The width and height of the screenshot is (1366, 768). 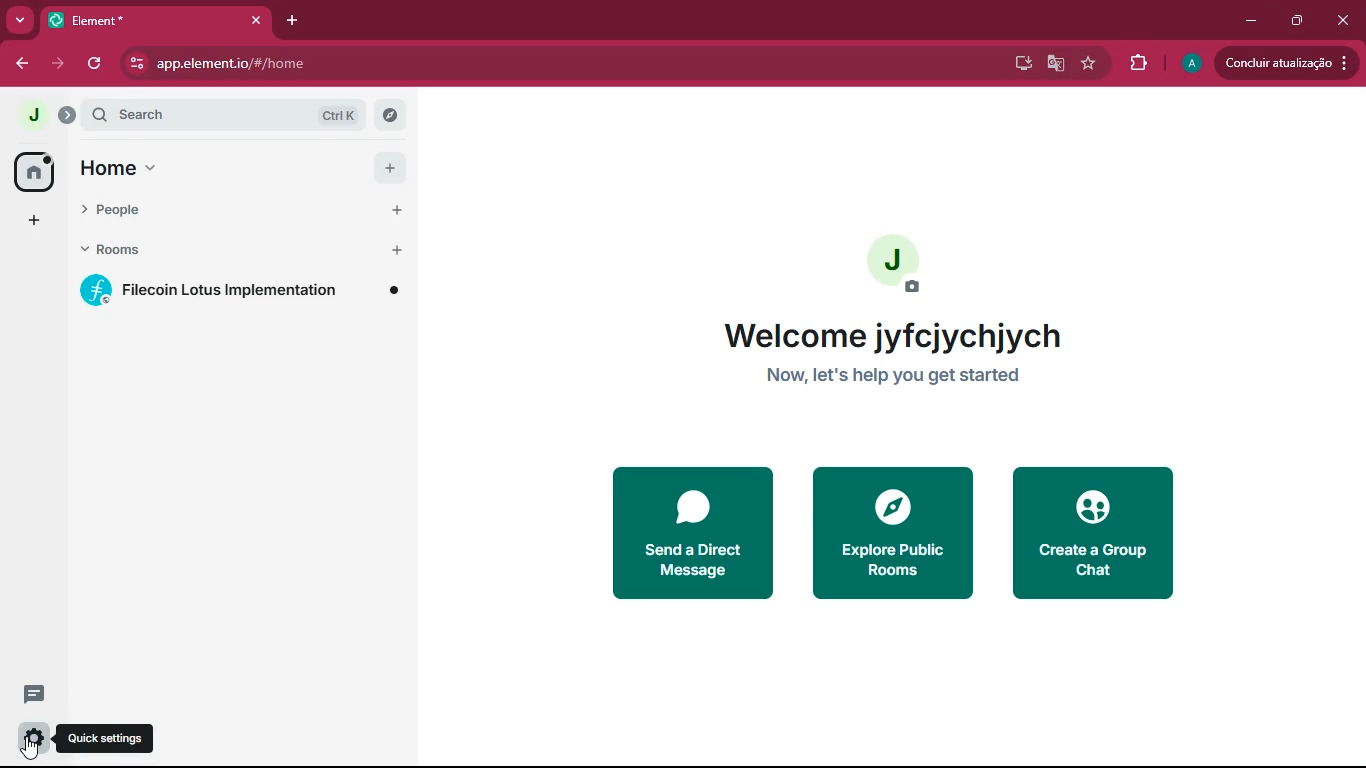 What do you see at coordinates (21, 65) in the screenshot?
I see `back` at bounding box center [21, 65].